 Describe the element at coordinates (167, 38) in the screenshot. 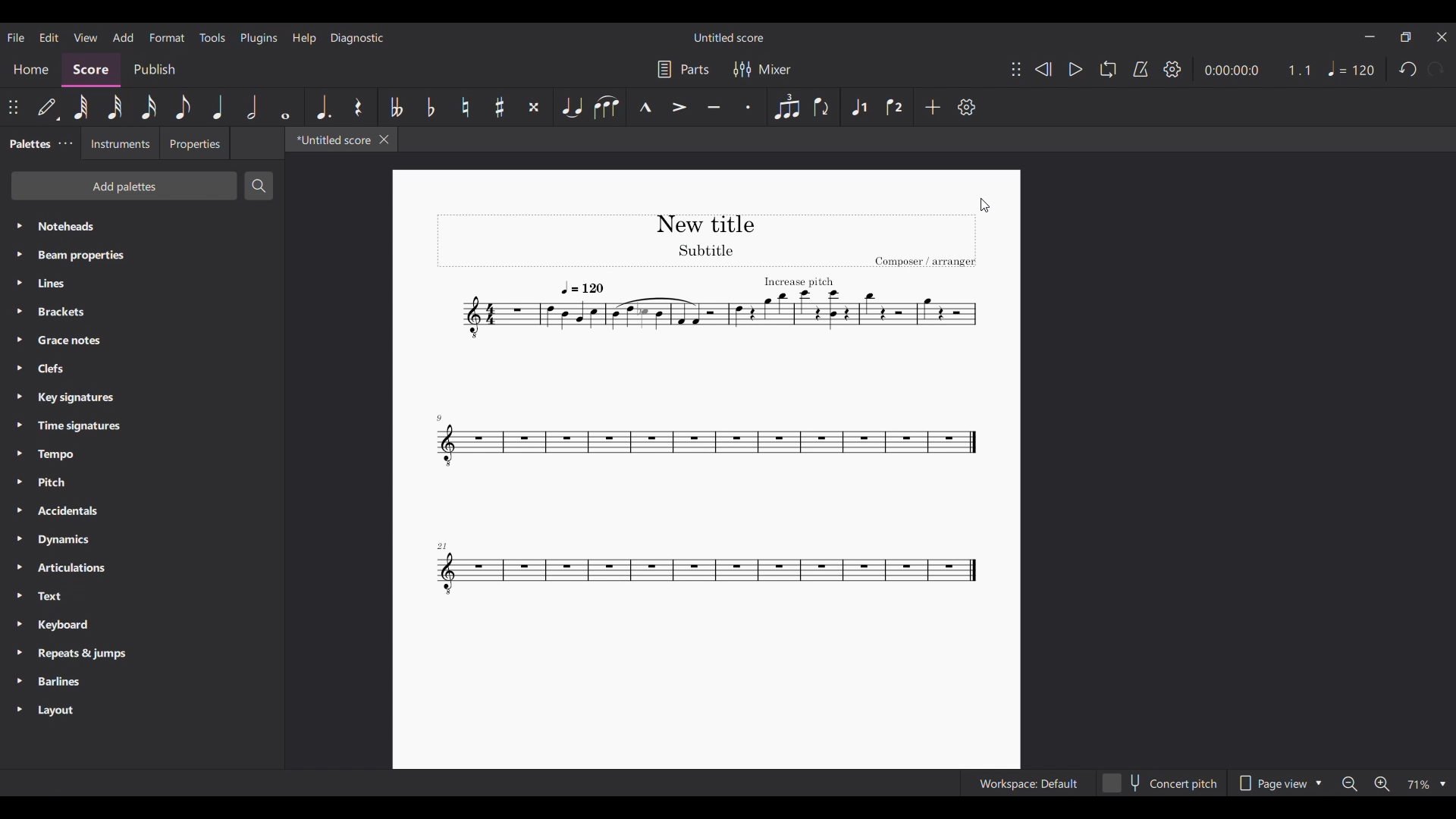

I see `Format menu` at that location.